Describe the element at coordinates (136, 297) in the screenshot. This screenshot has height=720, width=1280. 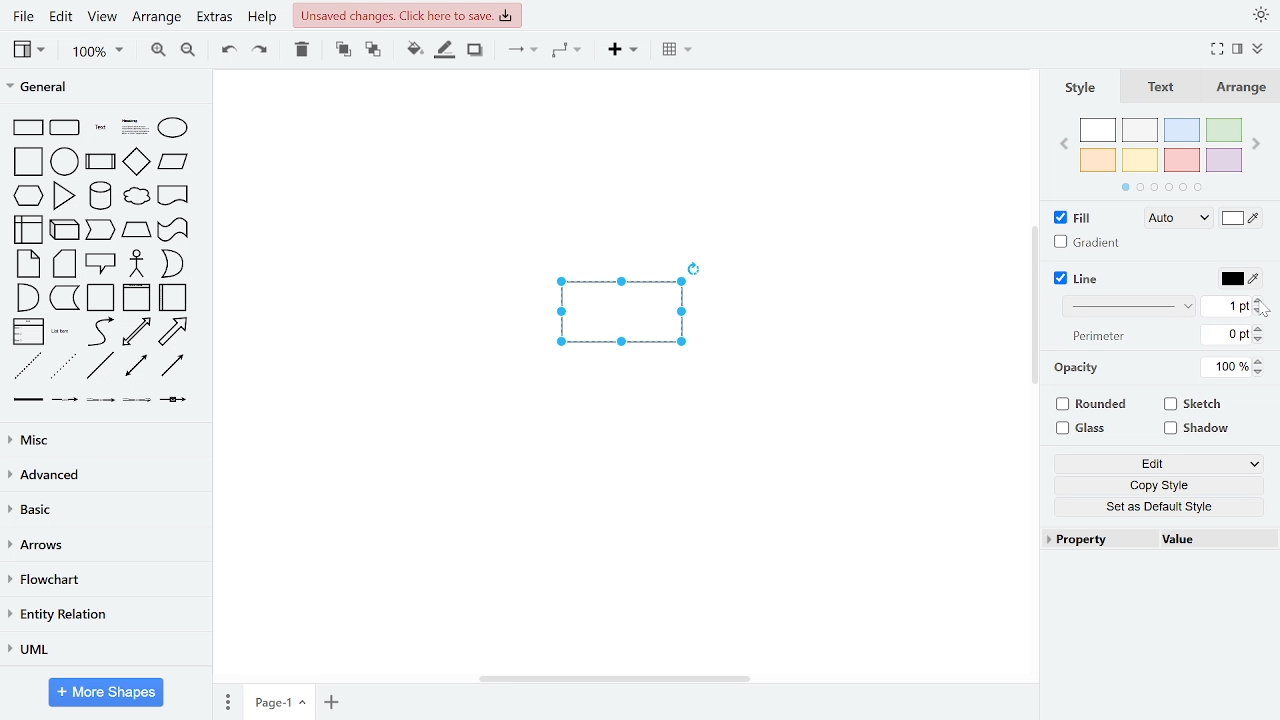
I see `general shapes` at that location.